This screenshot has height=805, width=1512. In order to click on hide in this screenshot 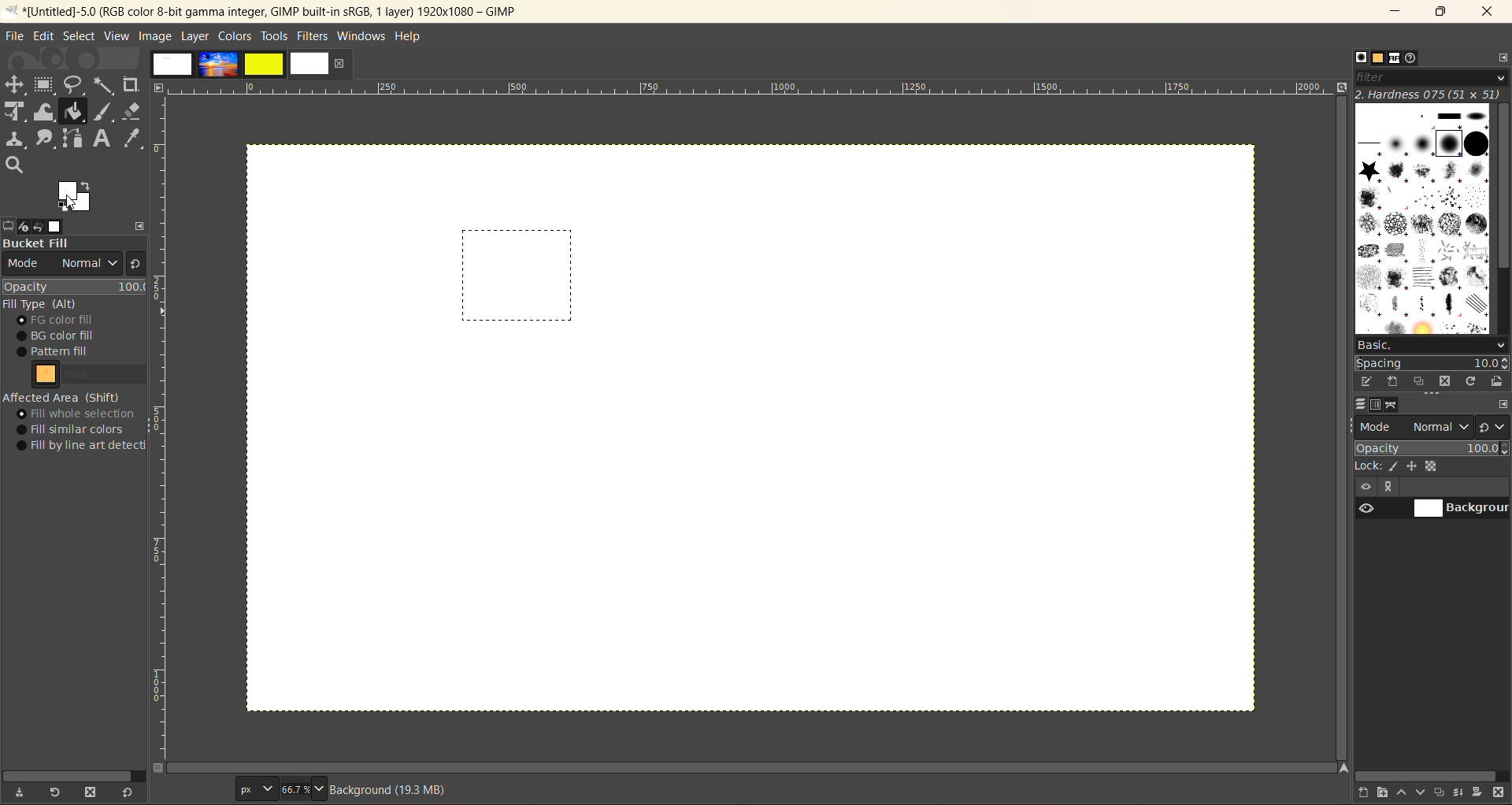, I will do `click(1365, 488)`.